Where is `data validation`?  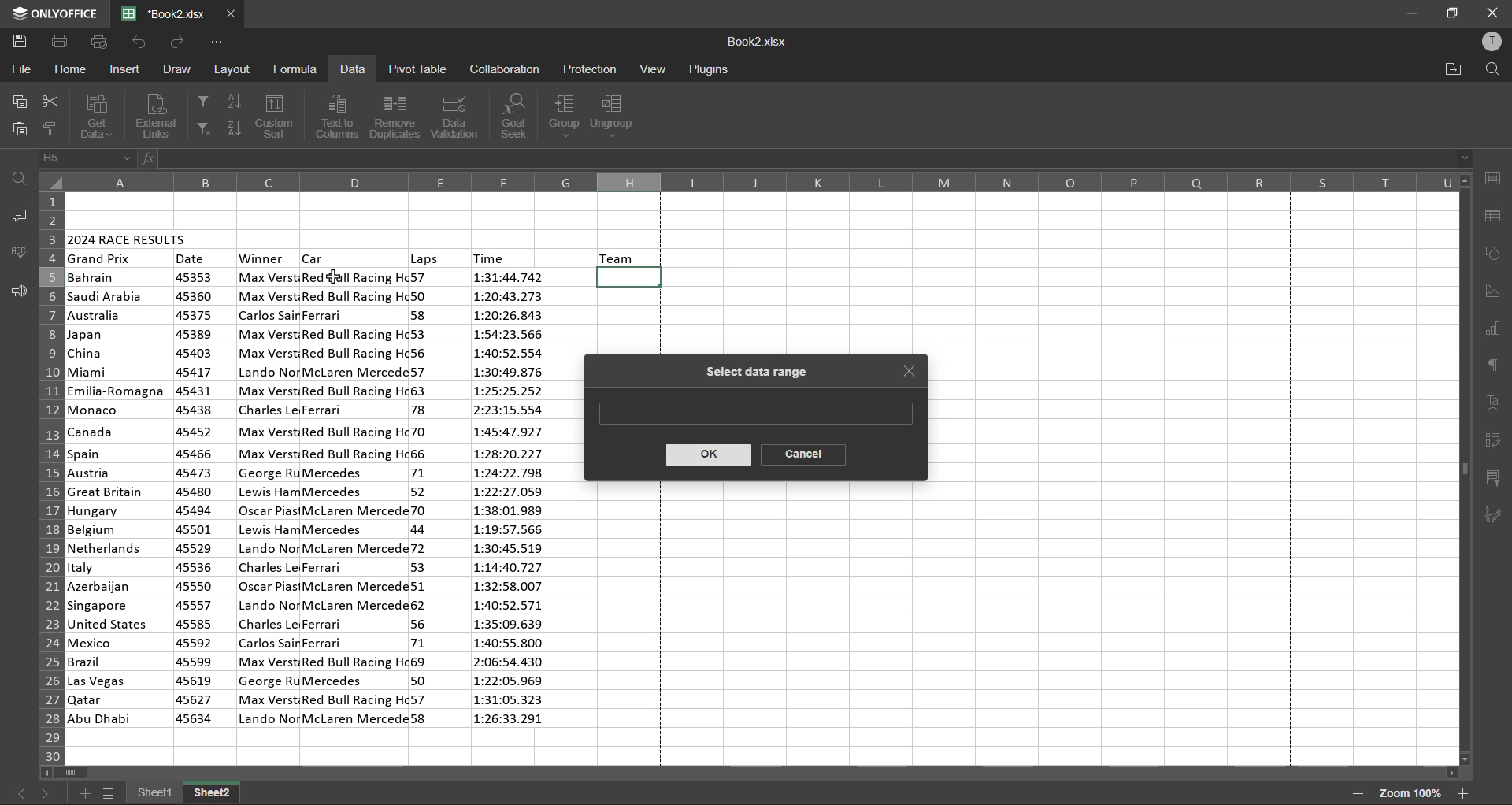 data validation is located at coordinates (457, 116).